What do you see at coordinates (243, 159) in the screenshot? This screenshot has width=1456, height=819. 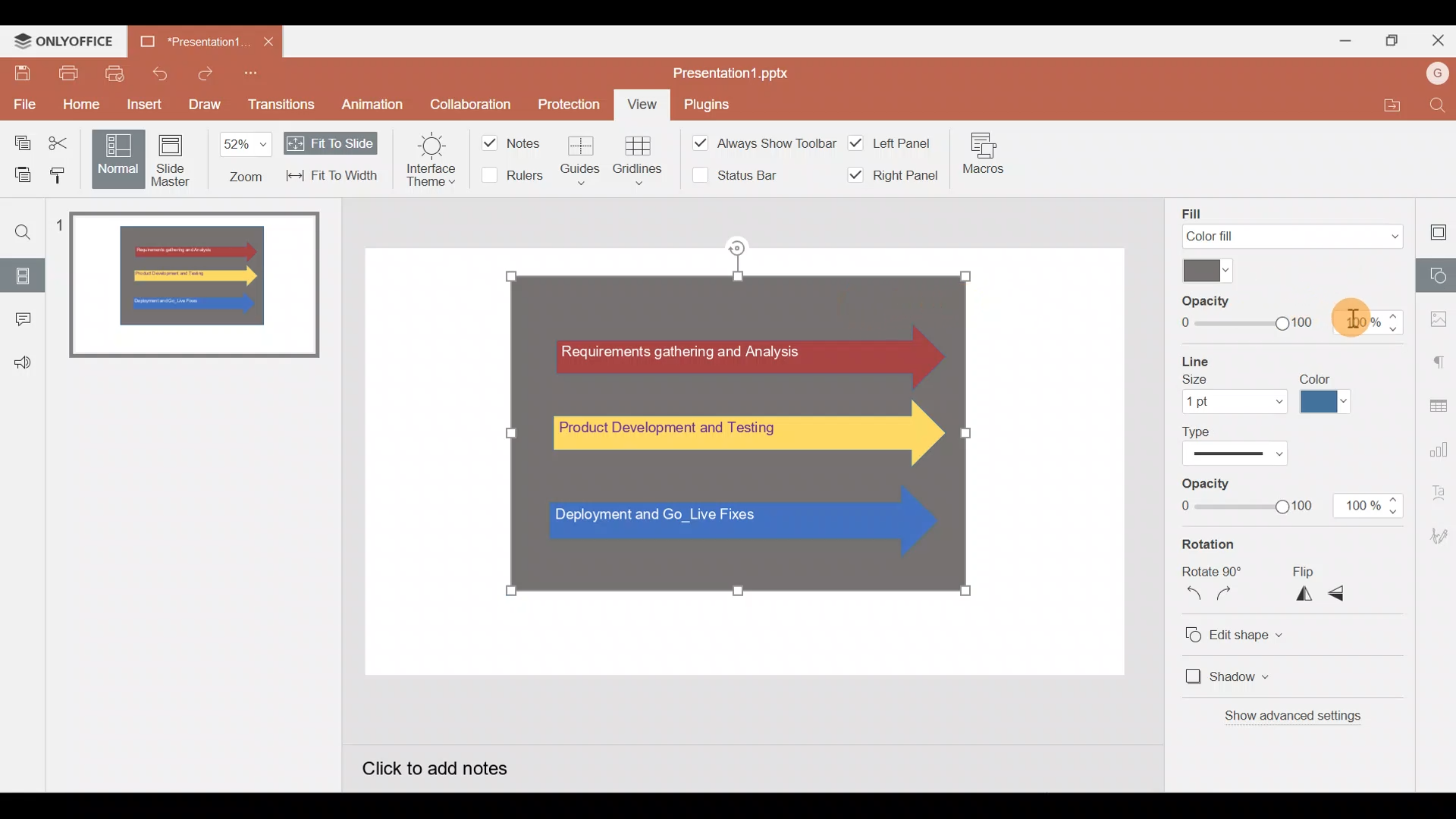 I see `Zoom` at bounding box center [243, 159].